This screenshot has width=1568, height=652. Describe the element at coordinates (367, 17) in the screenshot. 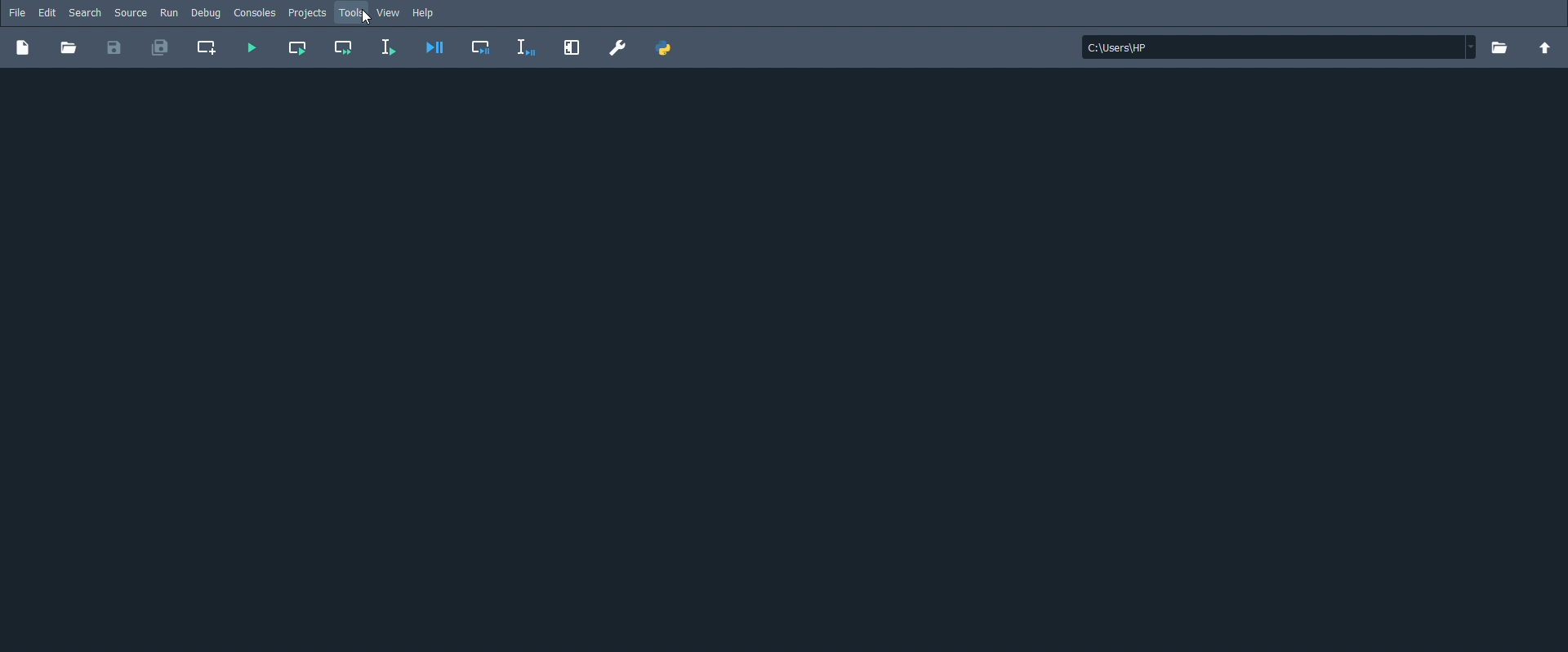

I see `Cursor` at that location.